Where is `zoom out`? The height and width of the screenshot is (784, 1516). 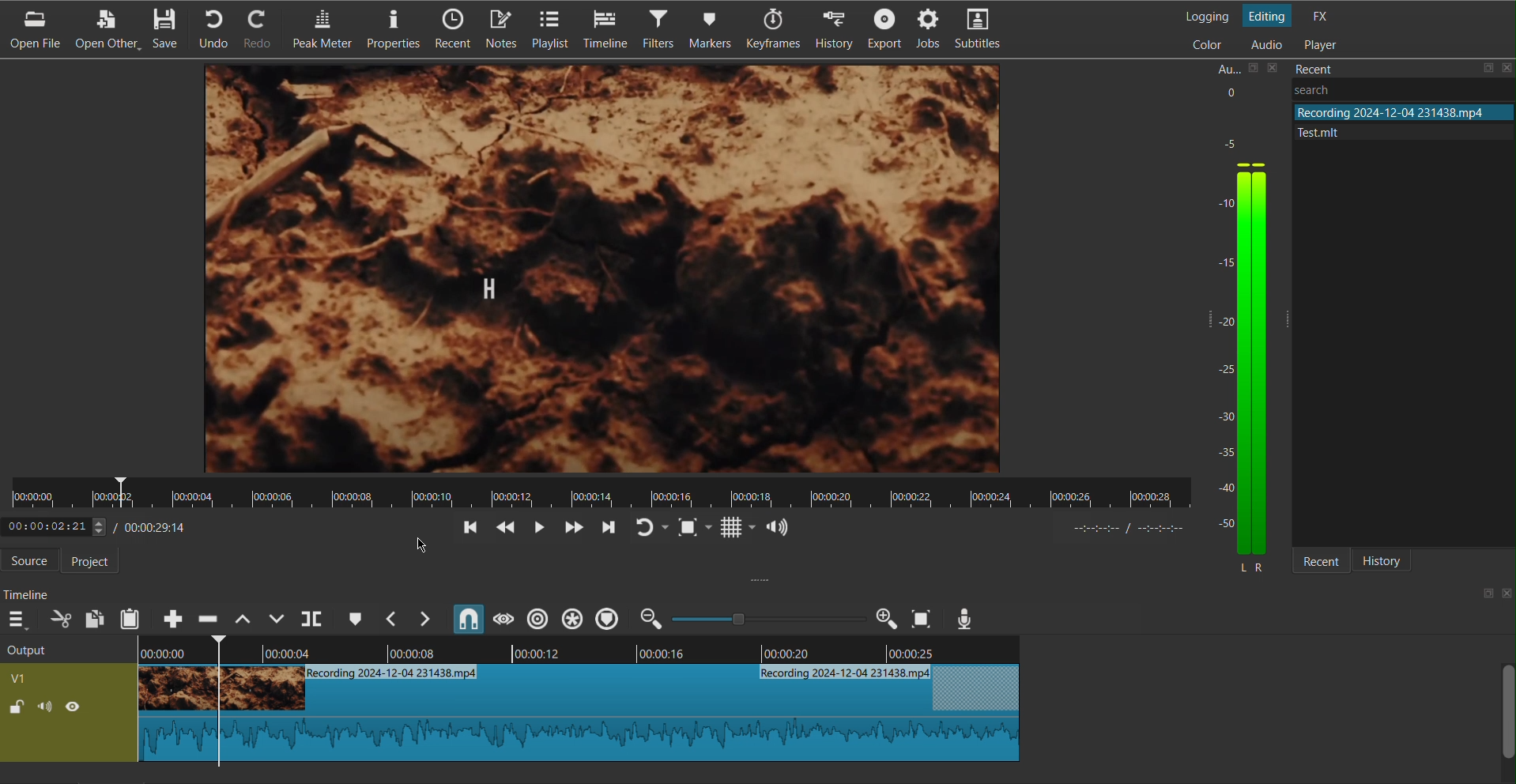 zoom out is located at coordinates (652, 618).